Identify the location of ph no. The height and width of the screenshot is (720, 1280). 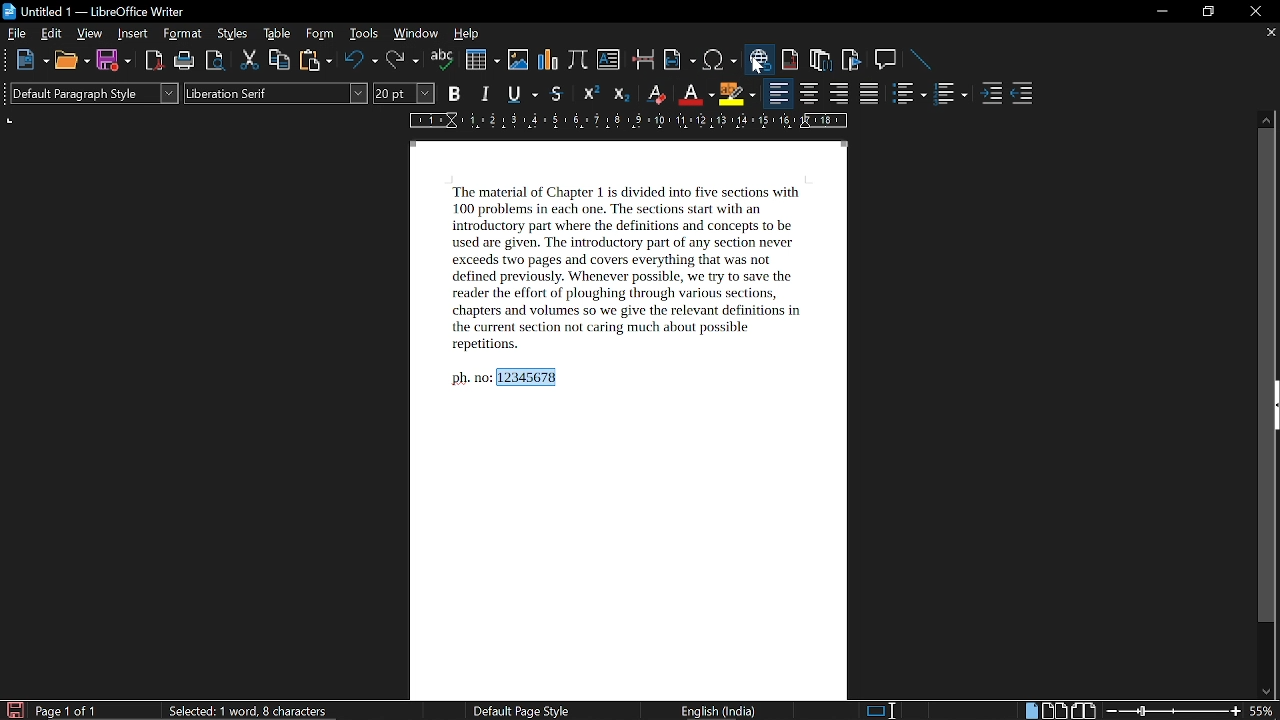
(470, 378).